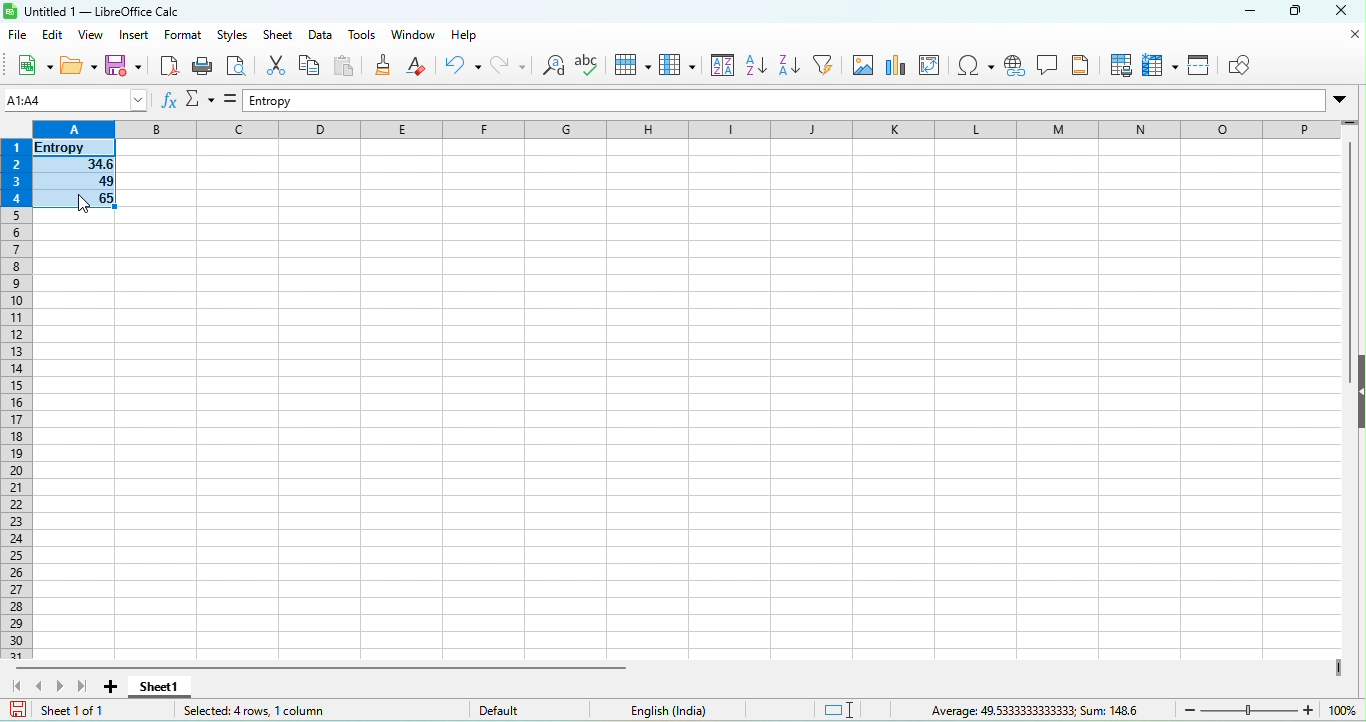  Describe the element at coordinates (1346, 710) in the screenshot. I see `zoom` at that location.